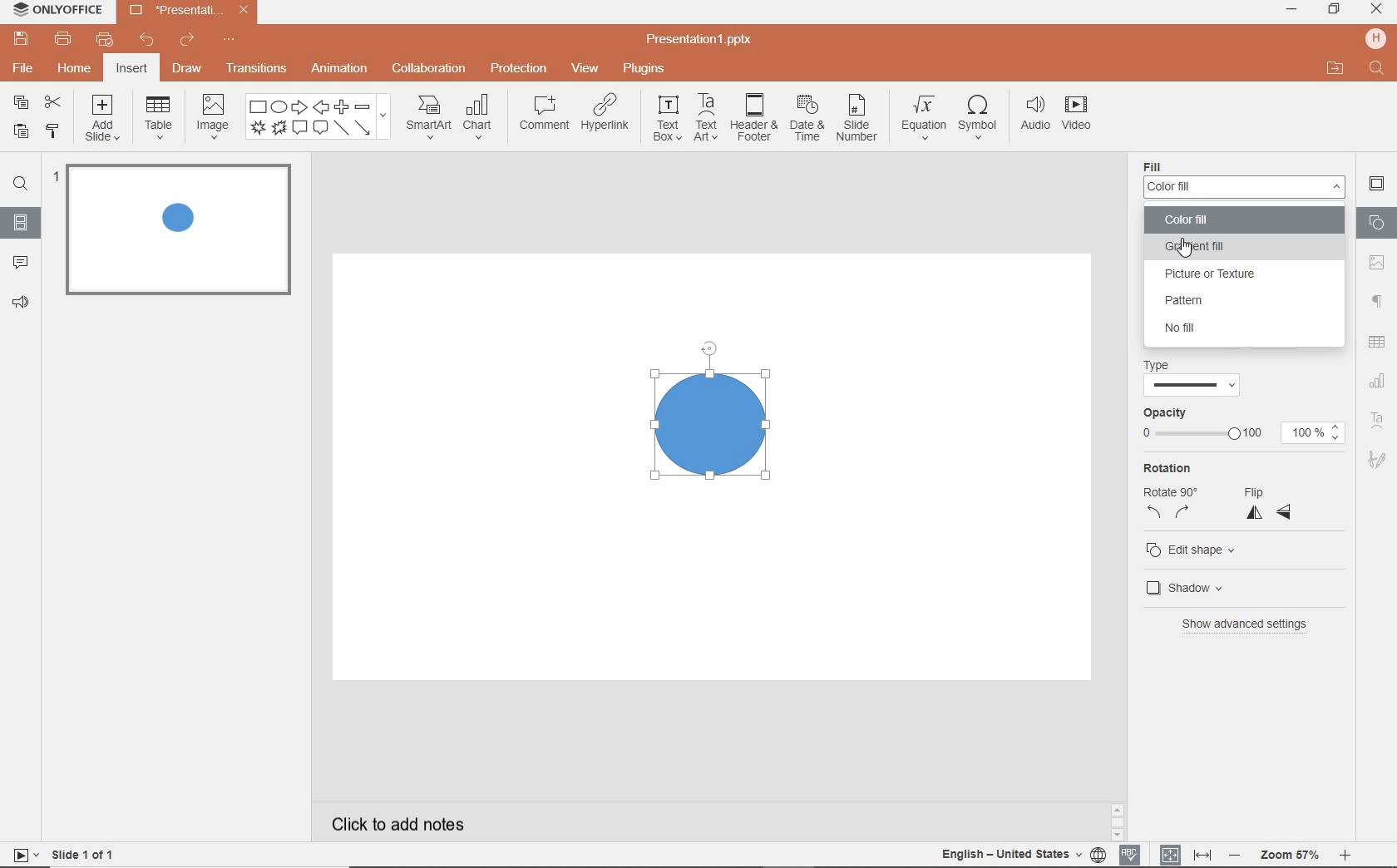 The height and width of the screenshot is (868, 1397). What do you see at coordinates (176, 229) in the screenshot?
I see `slide` at bounding box center [176, 229].